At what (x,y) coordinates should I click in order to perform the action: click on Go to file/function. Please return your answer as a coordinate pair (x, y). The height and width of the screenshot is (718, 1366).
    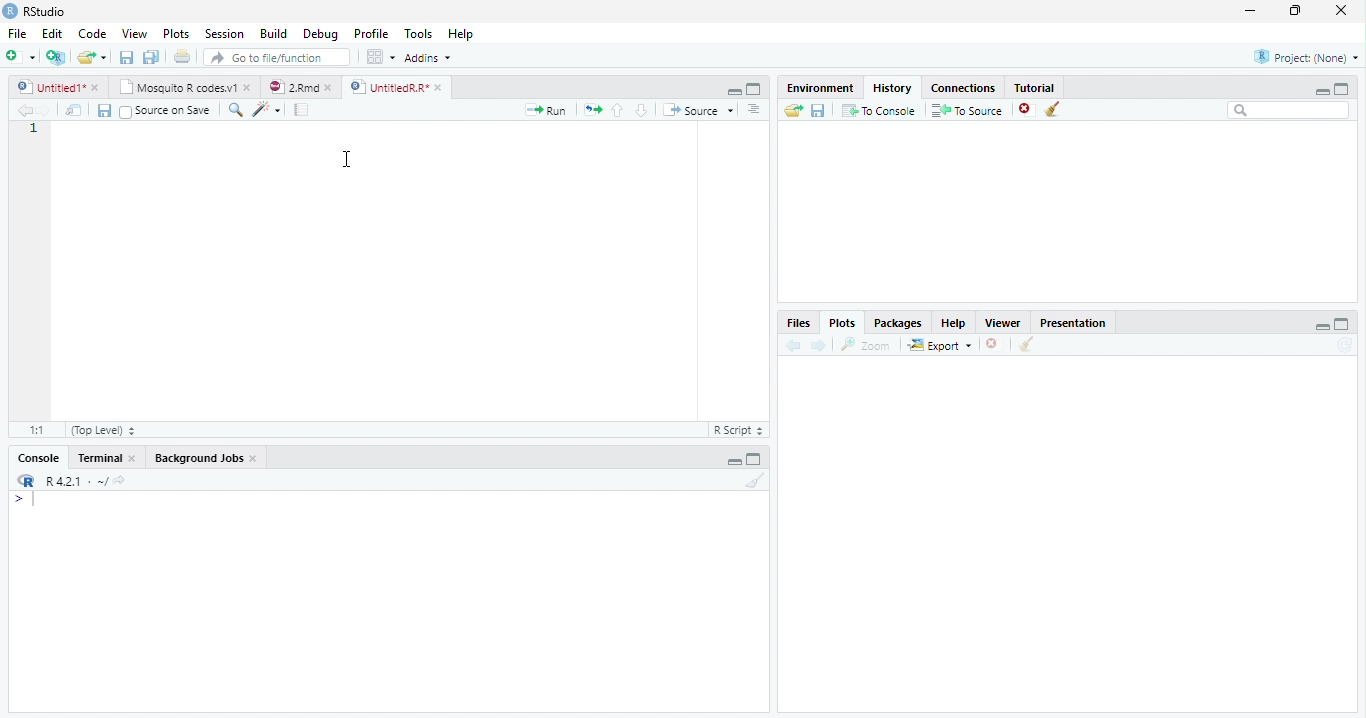
    Looking at the image, I should click on (277, 57).